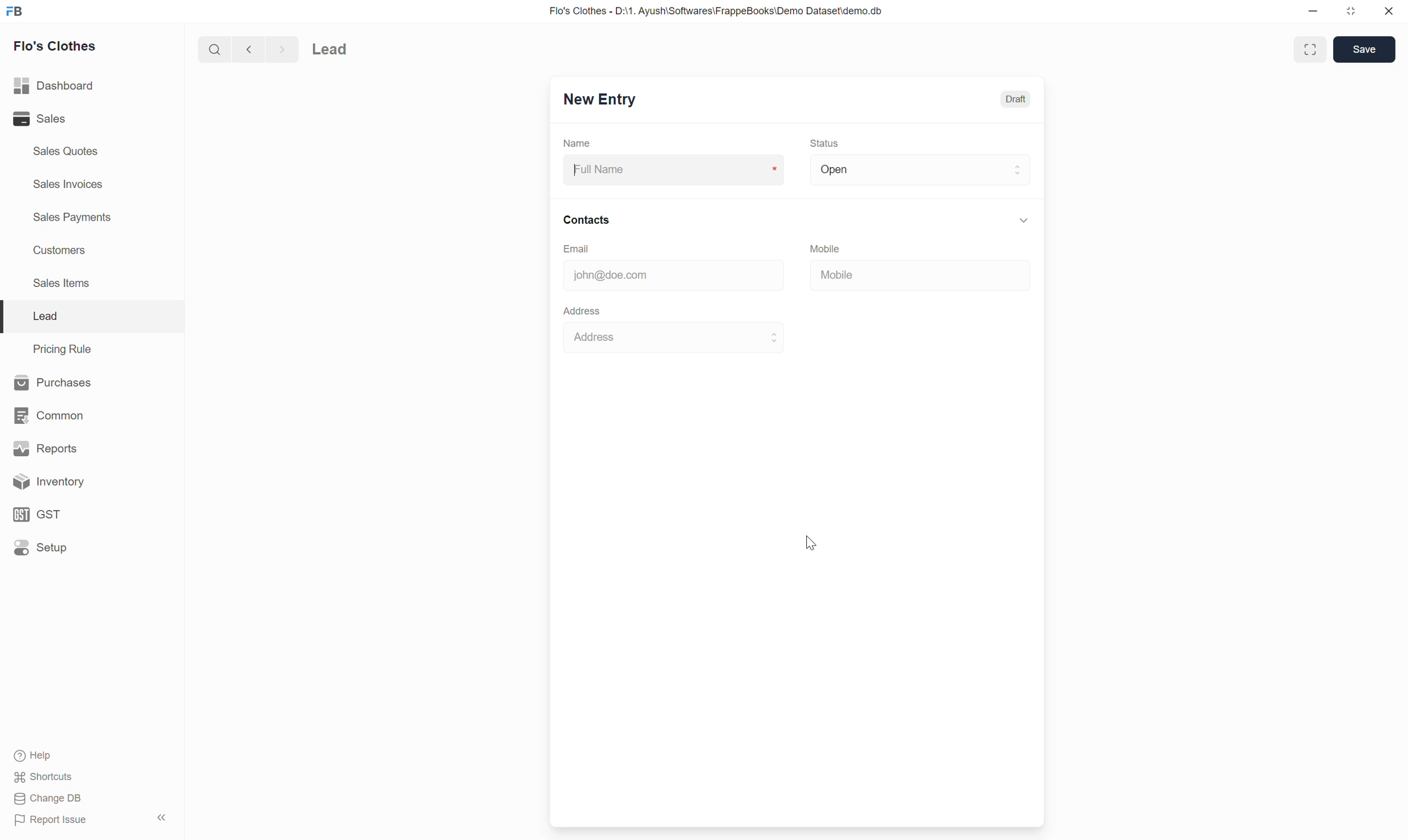  What do you see at coordinates (52, 820) in the screenshot?
I see ` Report Issue` at bounding box center [52, 820].